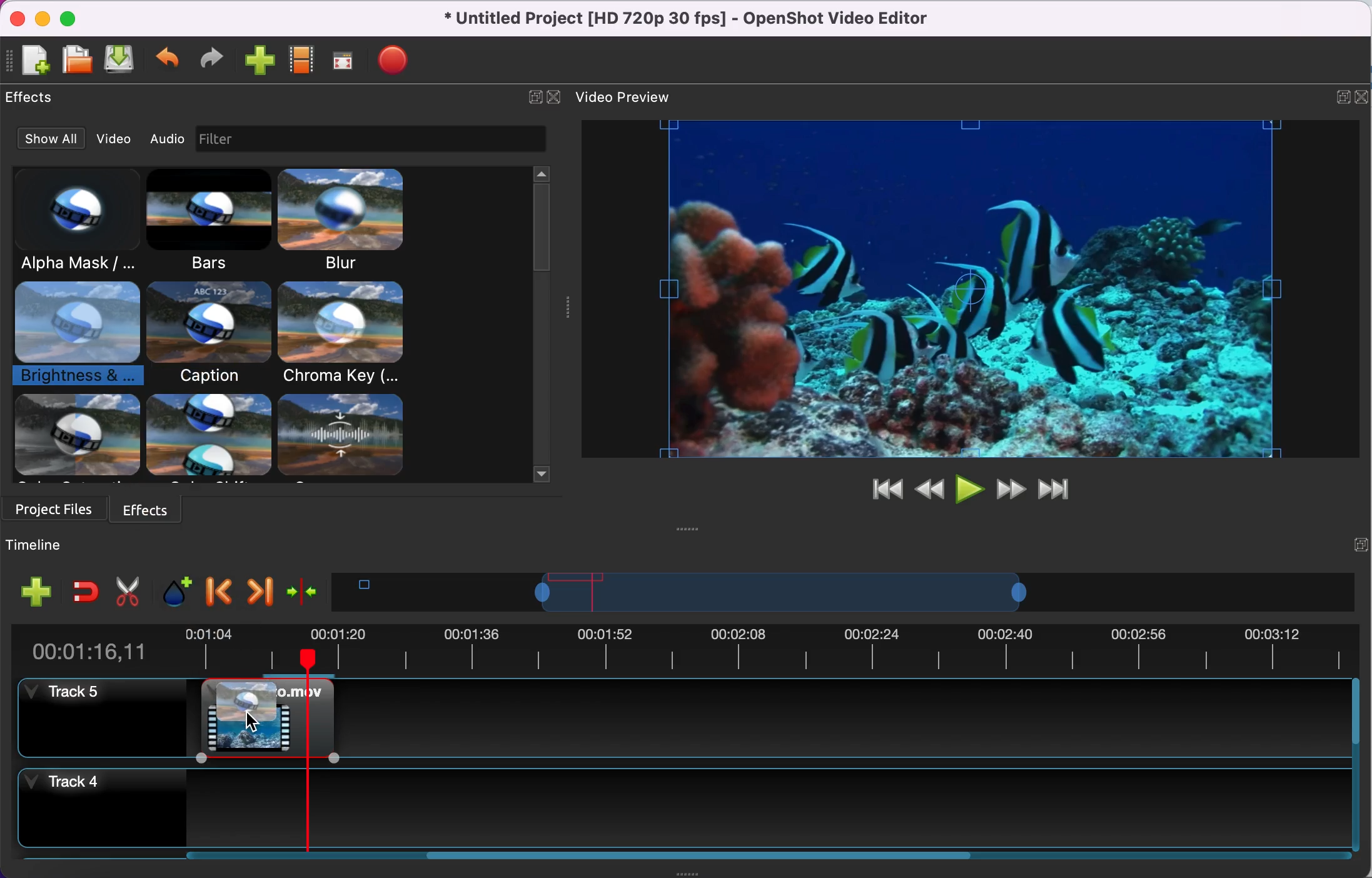 This screenshot has height=878, width=1372. Describe the element at coordinates (218, 590) in the screenshot. I see `previous marker` at that location.